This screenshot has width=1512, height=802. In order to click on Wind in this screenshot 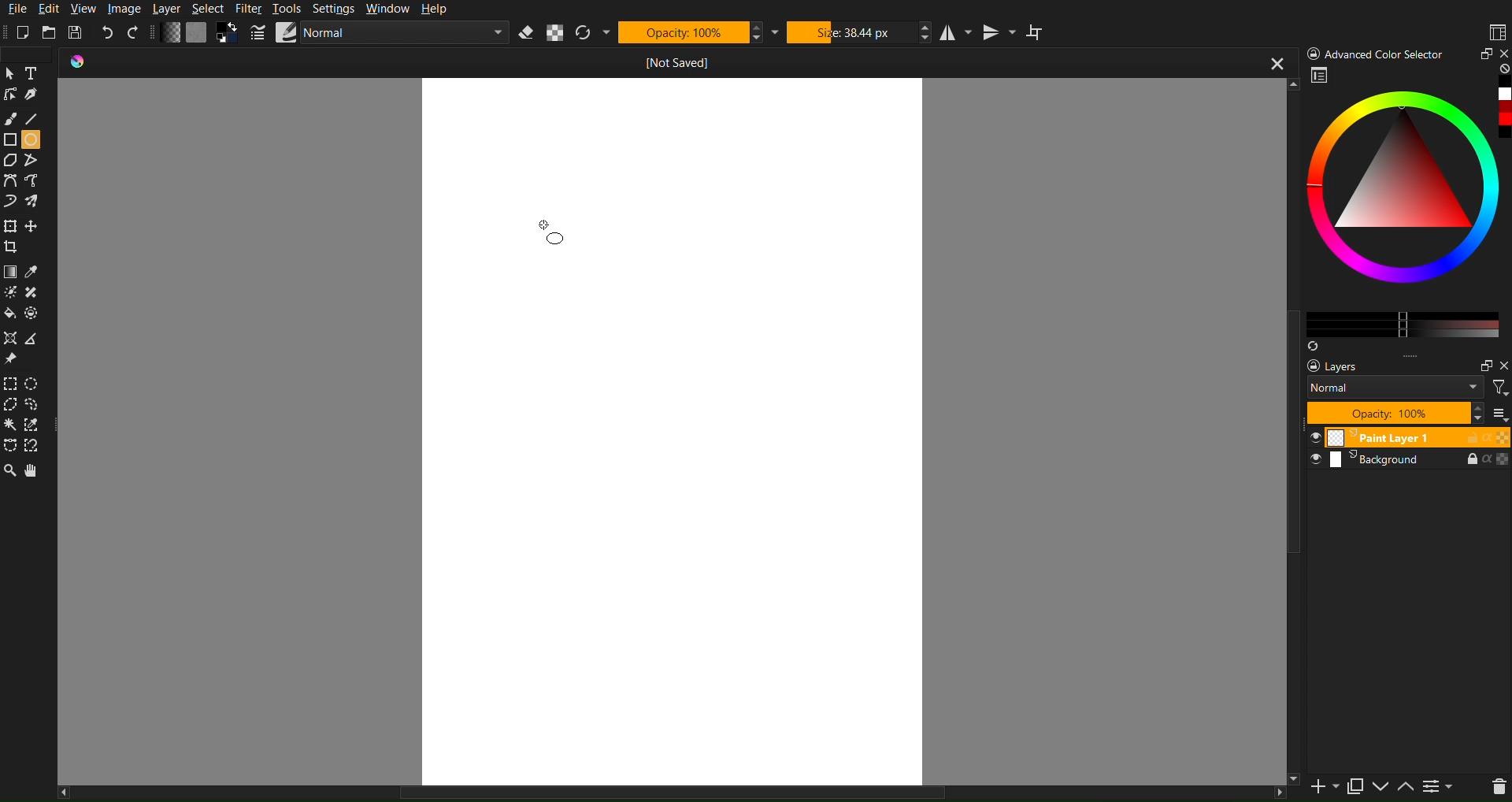, I will do `click(10, 425)`.